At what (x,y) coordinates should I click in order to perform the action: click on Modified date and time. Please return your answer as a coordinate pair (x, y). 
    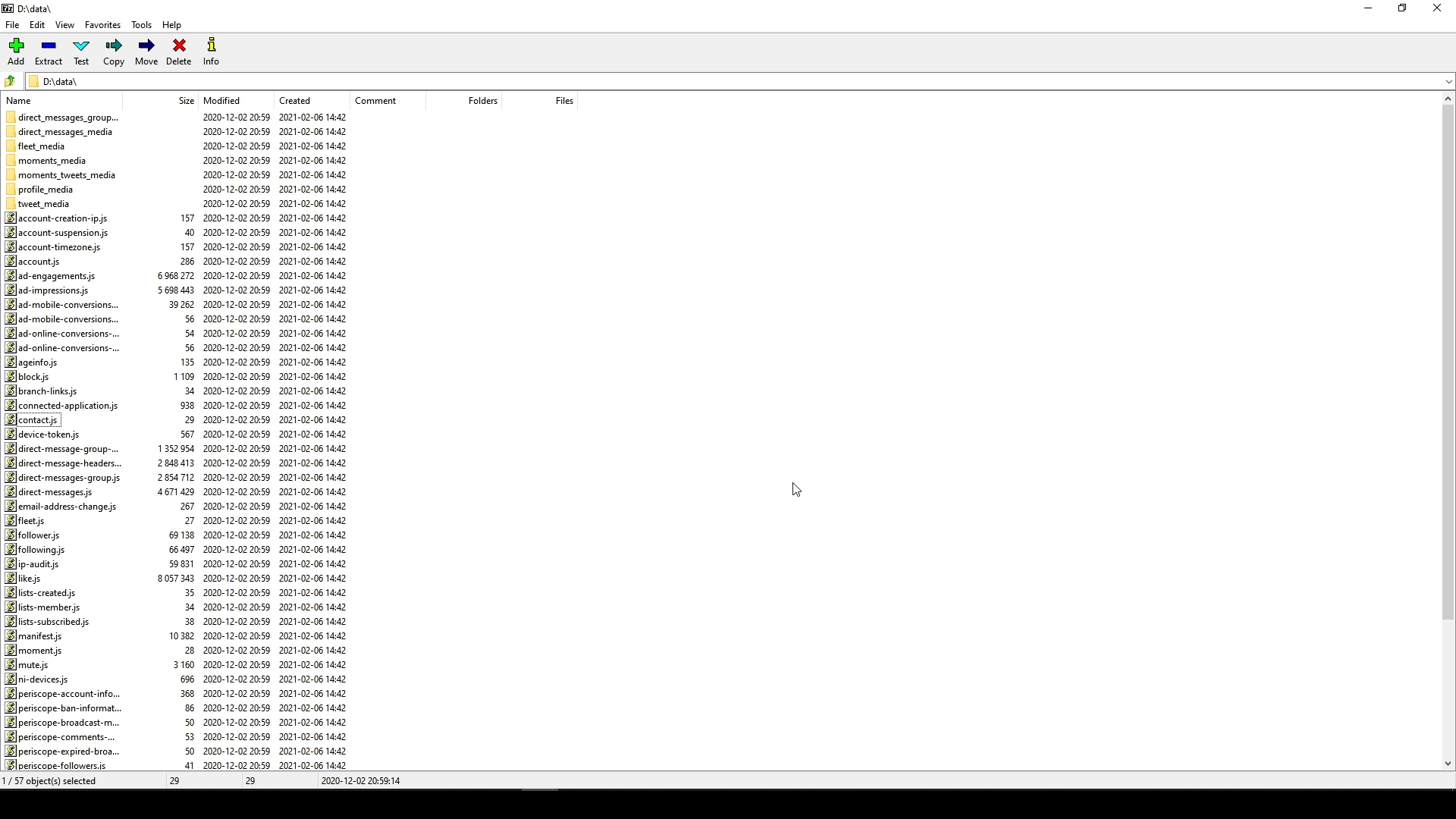
    Looking at the image, I should click on (236, 441).